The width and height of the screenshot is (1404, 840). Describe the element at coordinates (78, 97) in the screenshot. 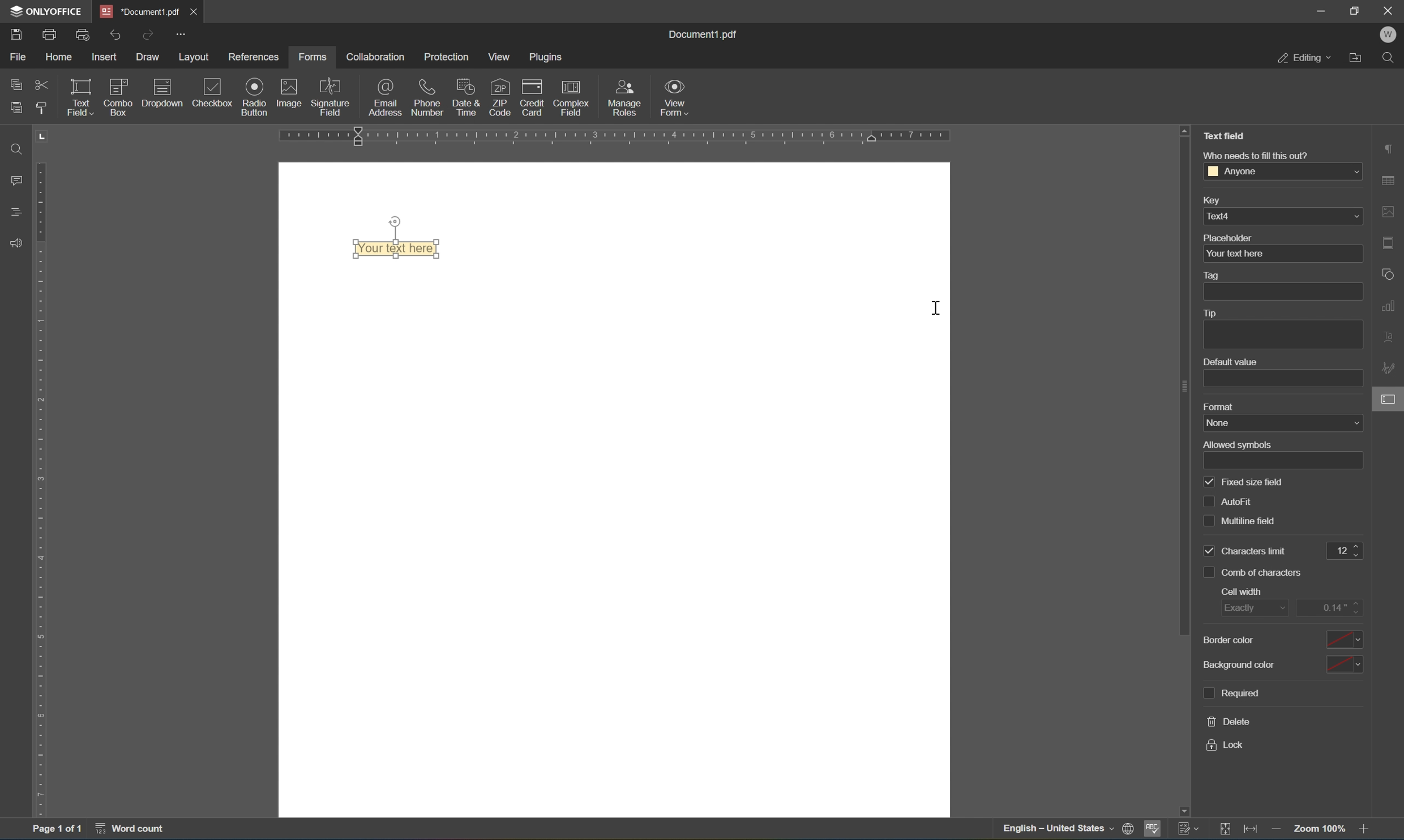

I see `text field` at that location.